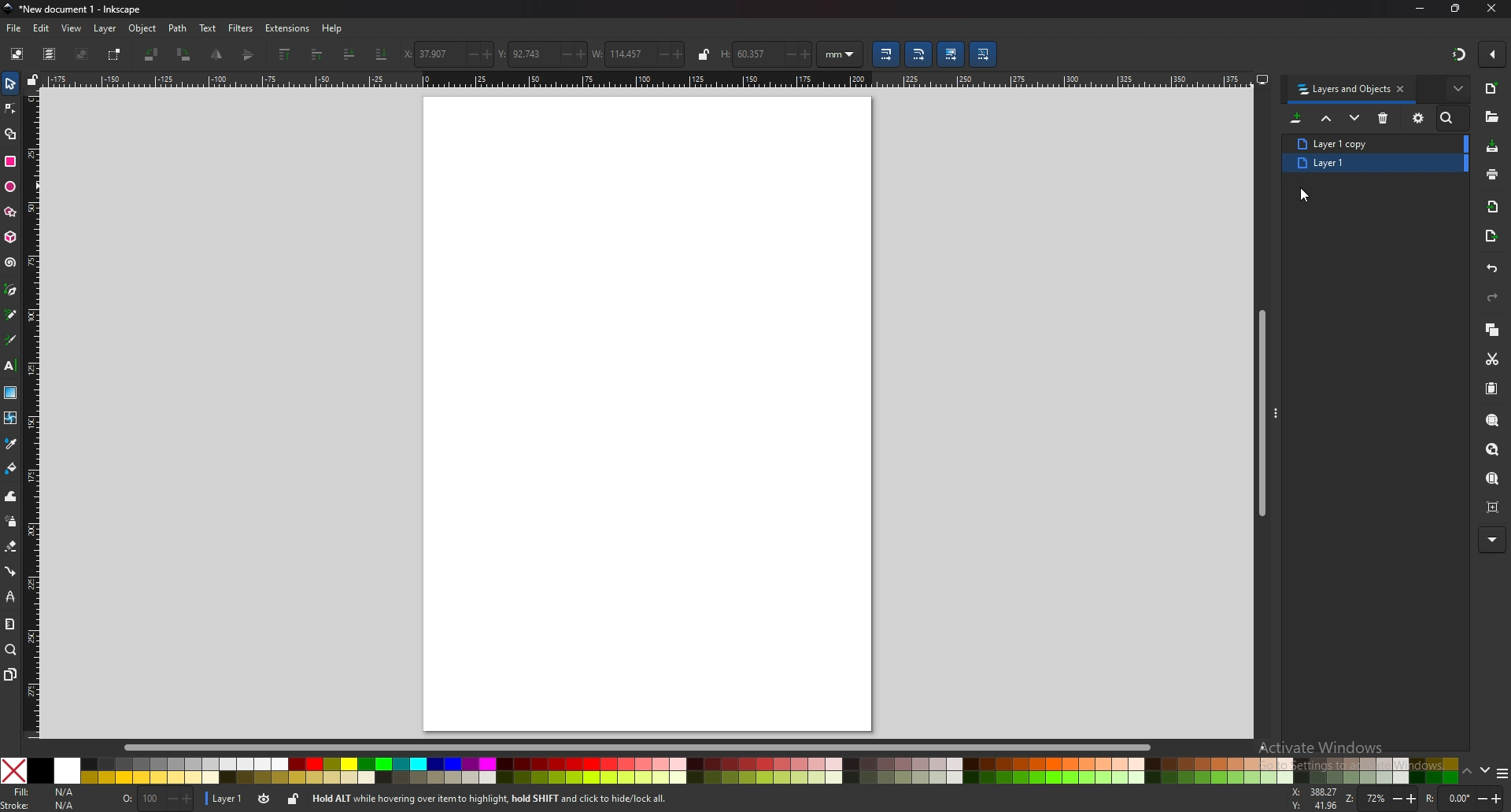 The image size is (1511, 812). I want to click on cursor, so click(1308, 194).